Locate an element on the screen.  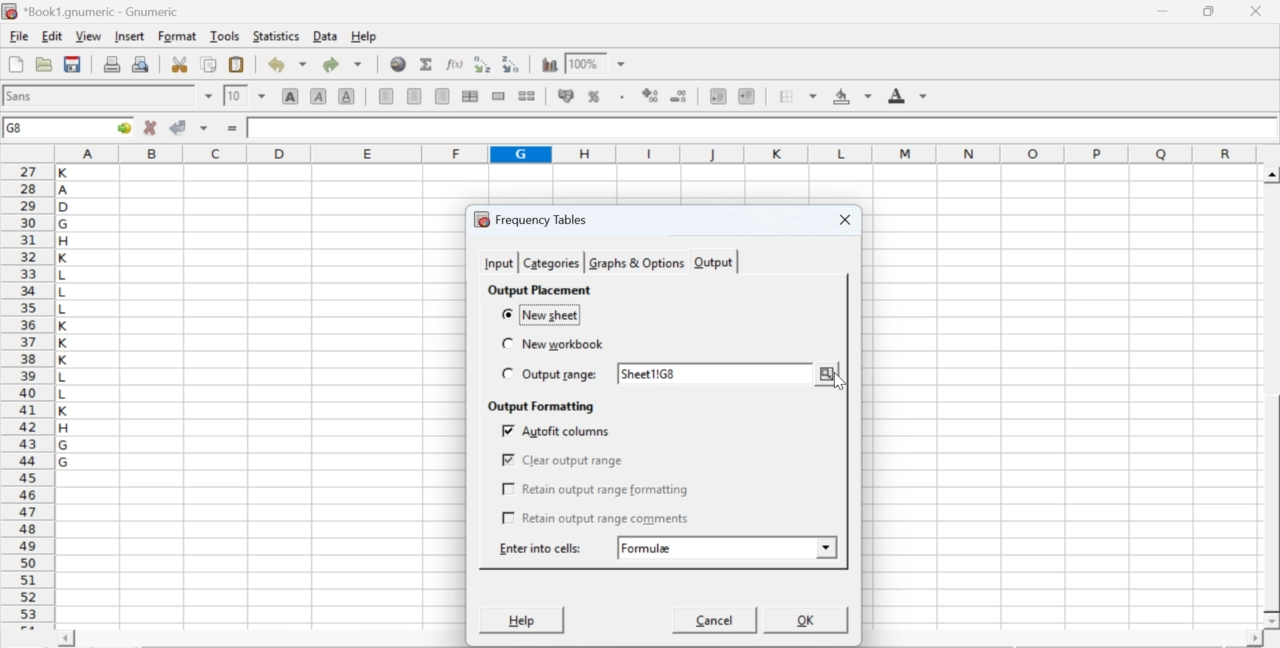
Cancel is located at coordinates (716, 623).